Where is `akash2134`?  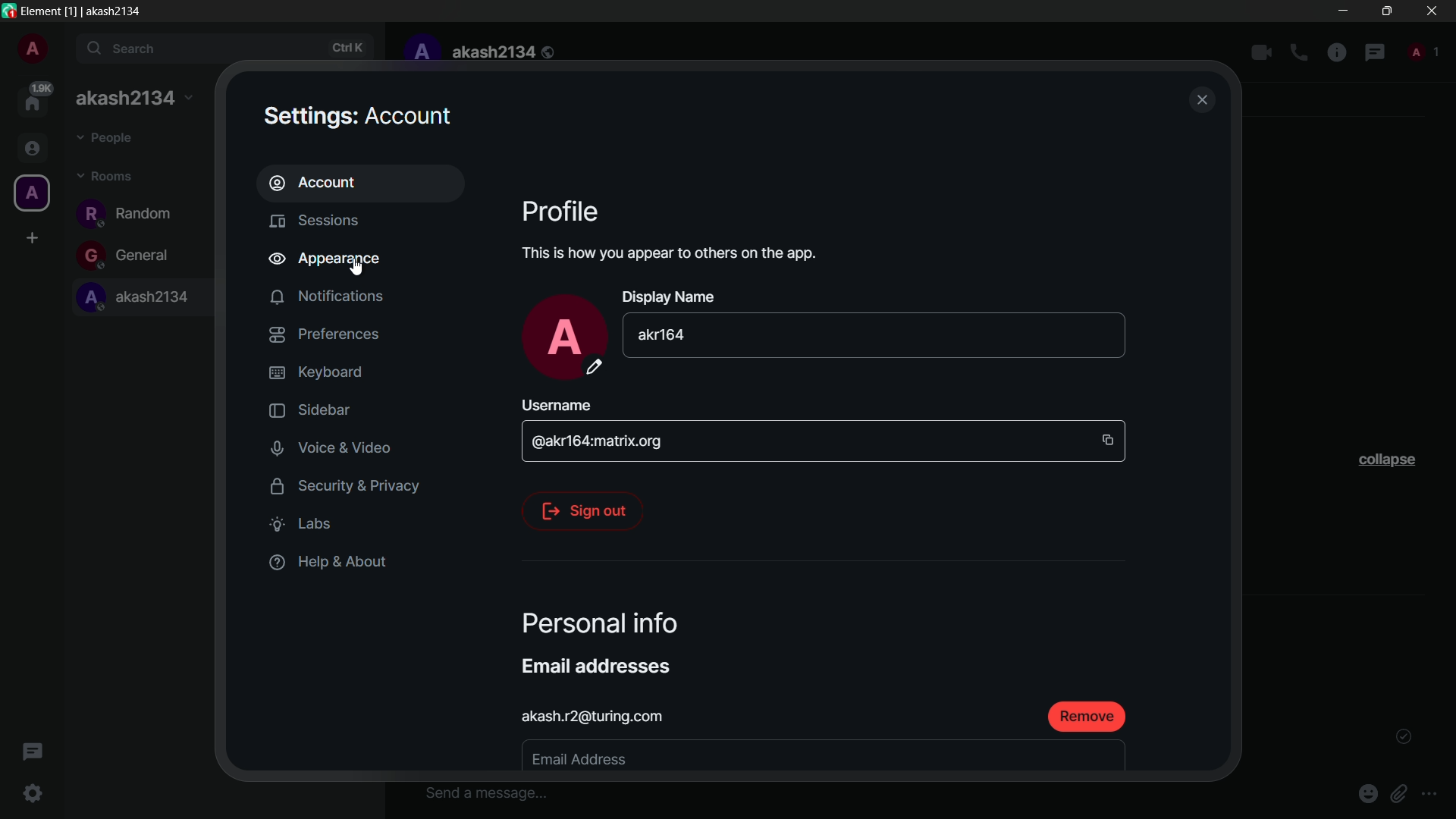 akash2134 is located at coordinates (142, 299).